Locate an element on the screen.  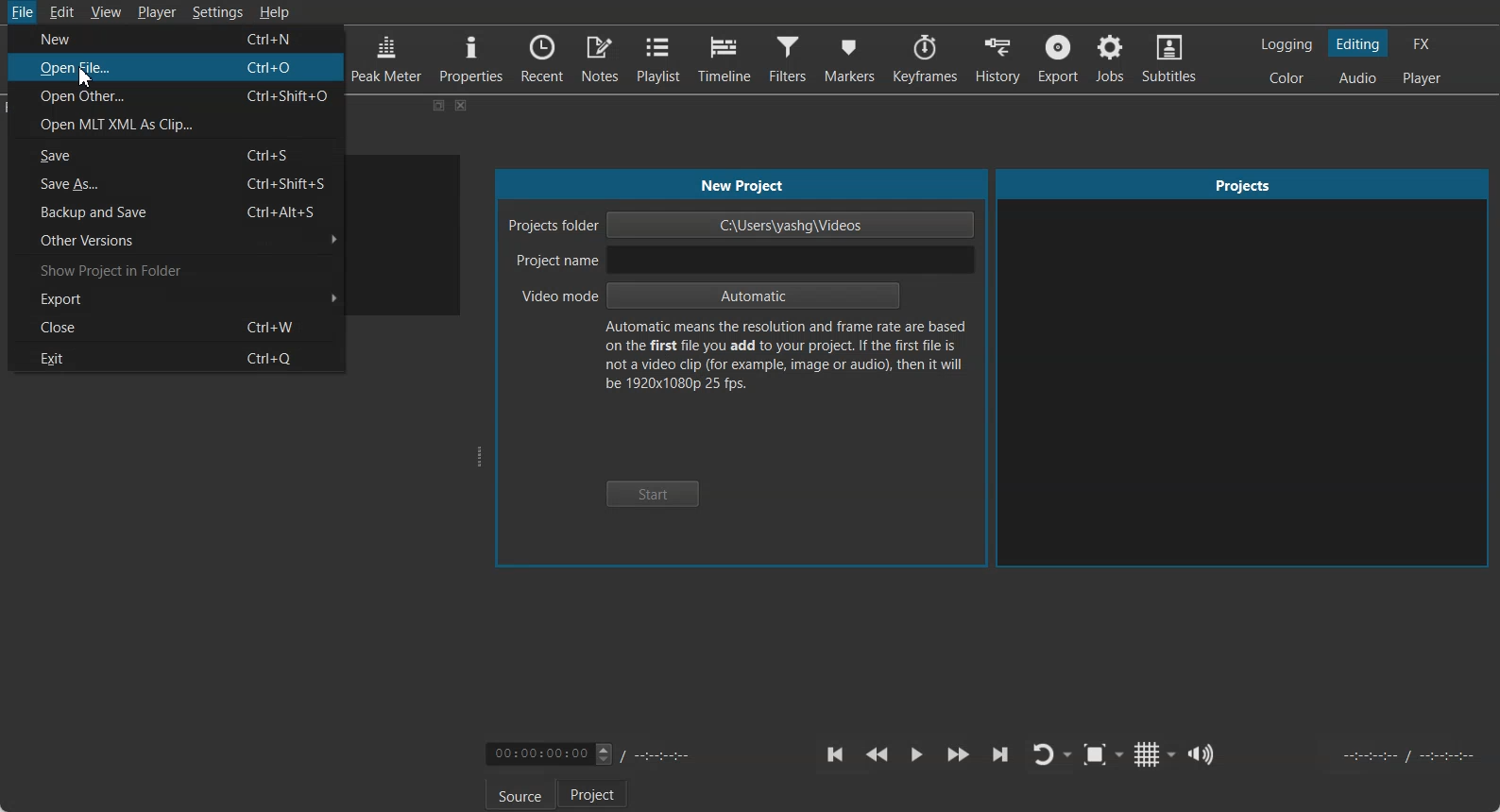
Ctr+N is located at coordinates (277, 41).